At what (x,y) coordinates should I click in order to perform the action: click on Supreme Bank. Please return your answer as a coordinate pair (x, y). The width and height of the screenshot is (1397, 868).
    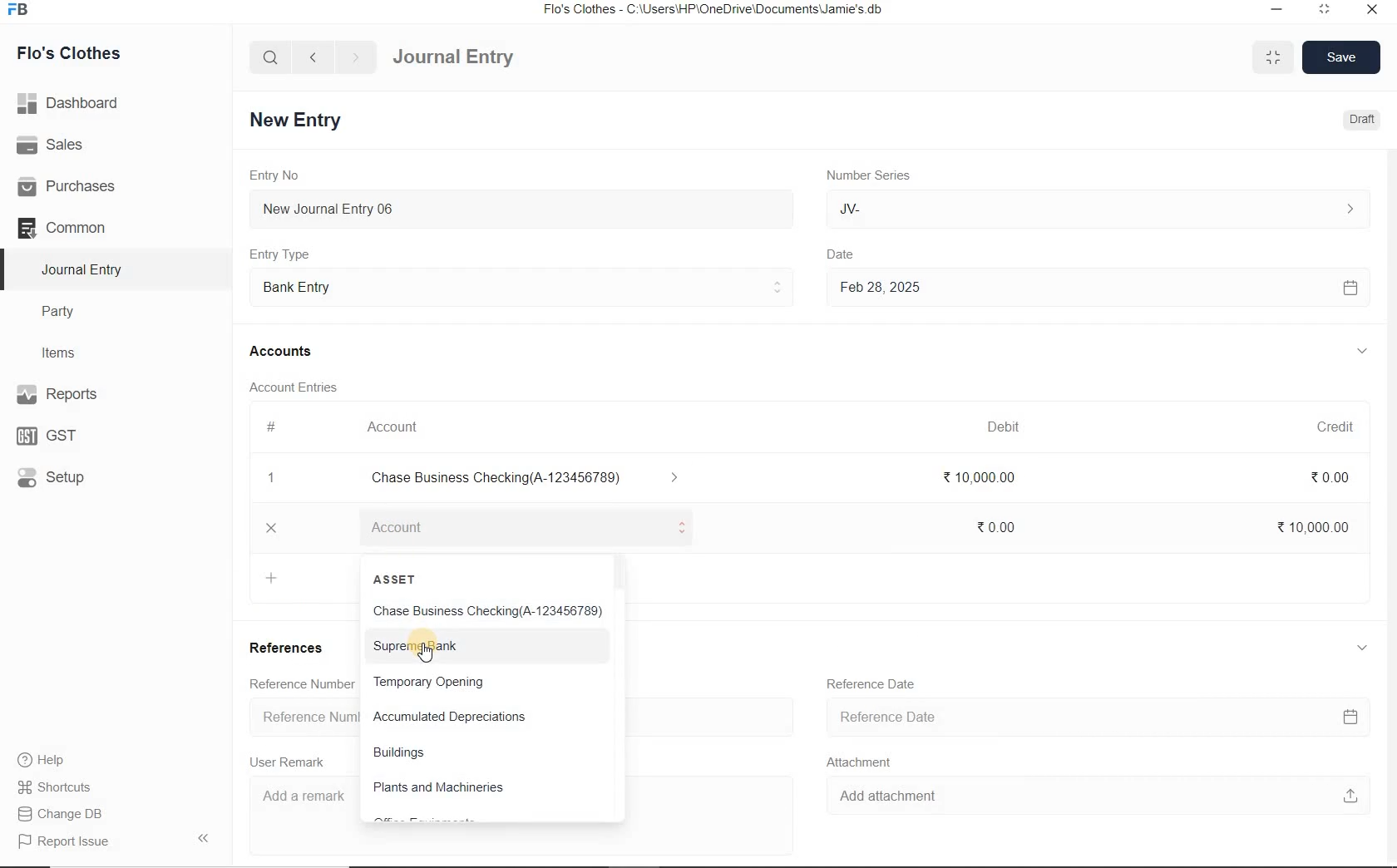
    Looking at the image, I should click on (416, 645).